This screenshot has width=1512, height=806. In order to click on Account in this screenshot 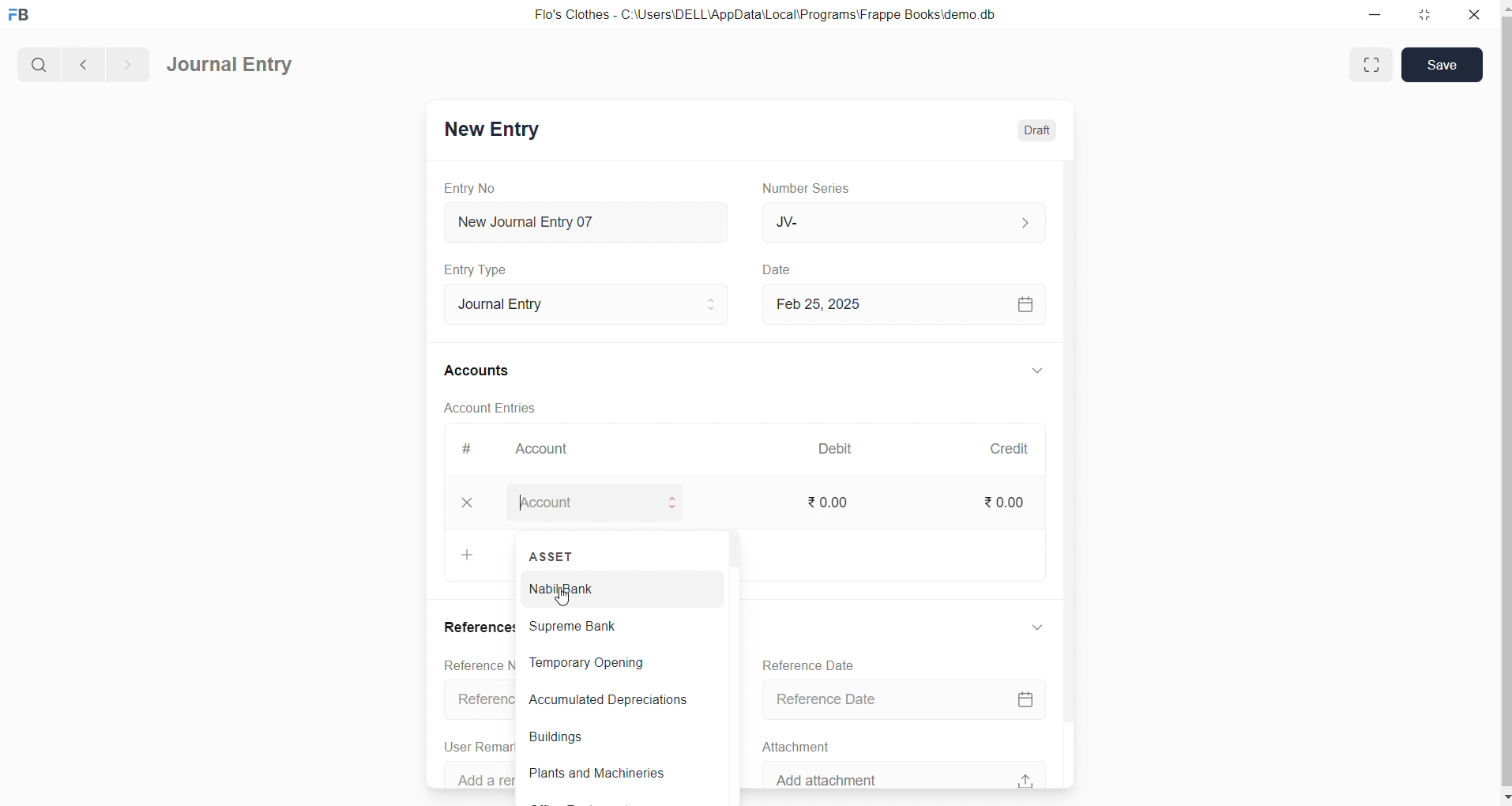, I will do `click(615, 502)`.